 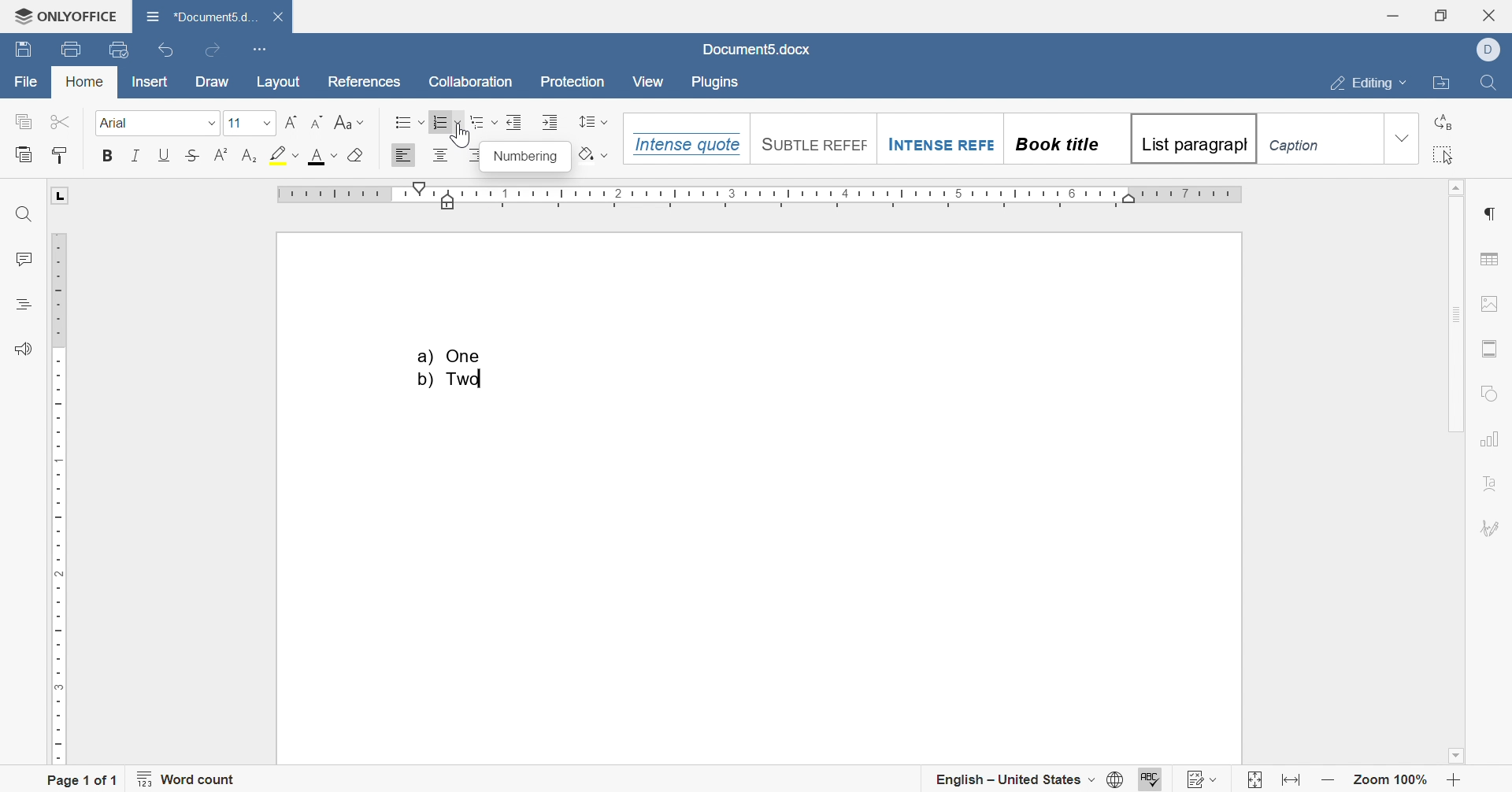 I want to click on chart settings, so click(x=1488, y=441).